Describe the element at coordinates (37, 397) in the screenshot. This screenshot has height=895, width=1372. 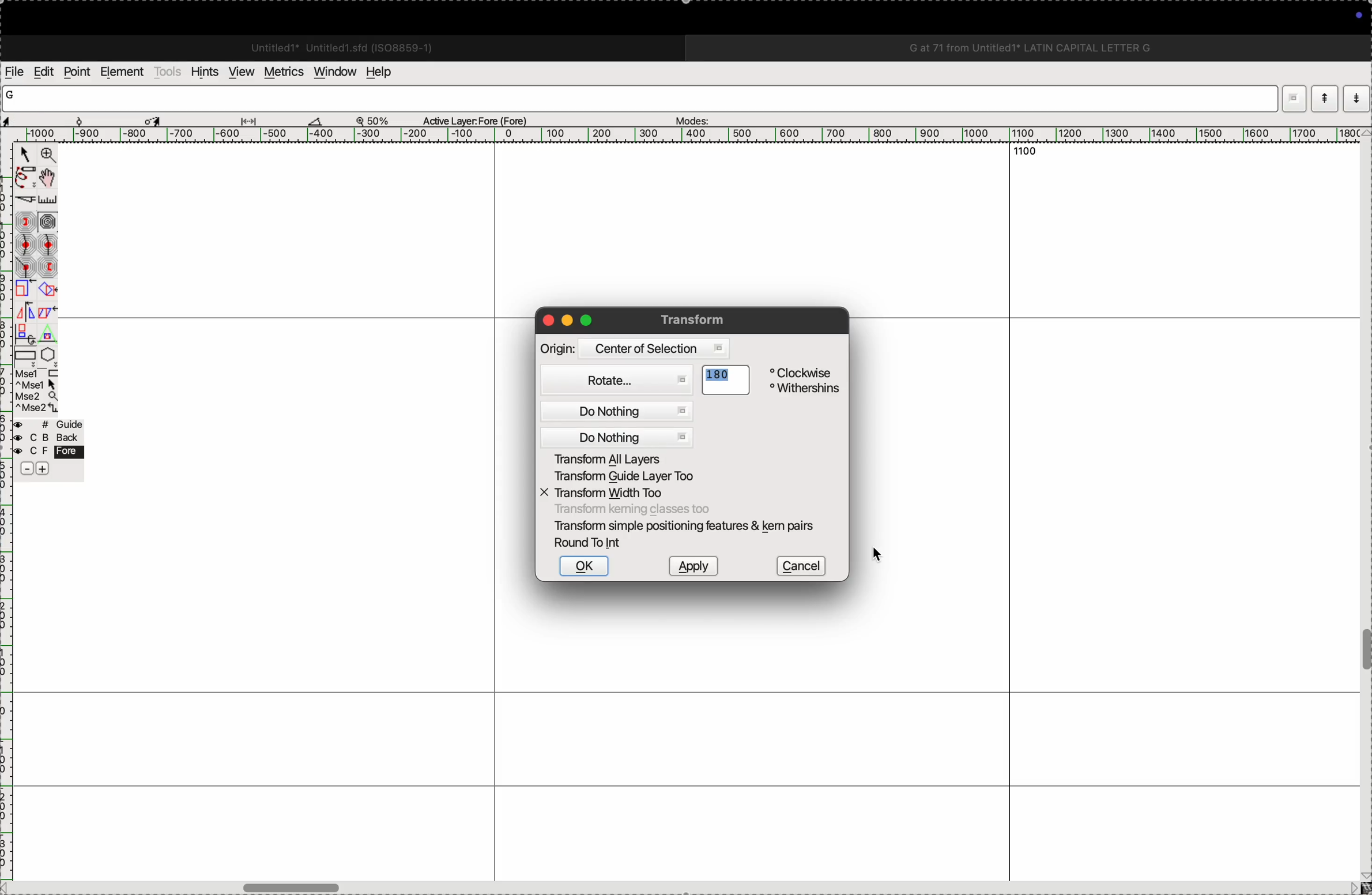
I see `mouse wheel button` at that location.